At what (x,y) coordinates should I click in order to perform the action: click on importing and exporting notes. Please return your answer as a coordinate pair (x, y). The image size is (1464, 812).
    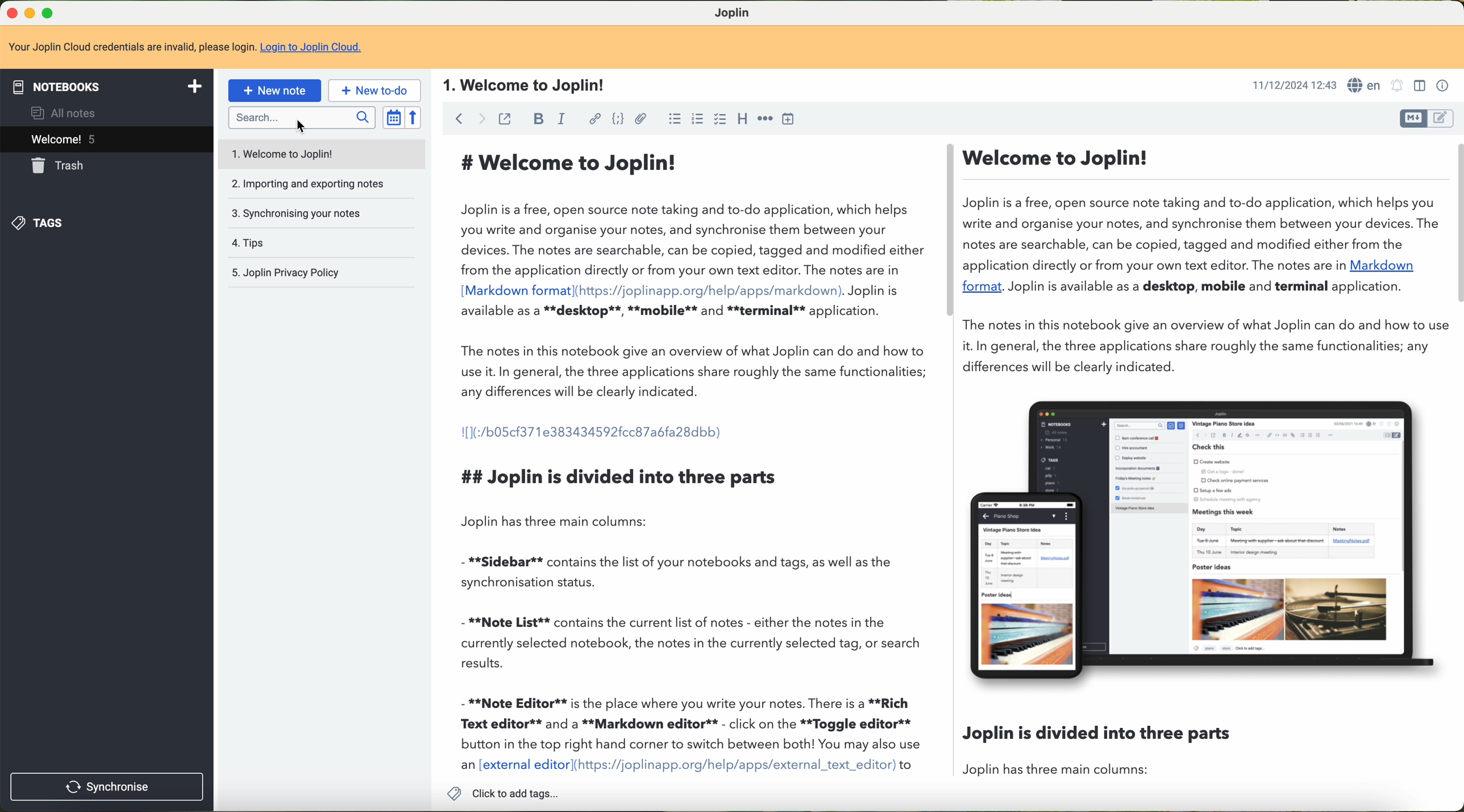
    Looking at the image, I should click on (321, 184).